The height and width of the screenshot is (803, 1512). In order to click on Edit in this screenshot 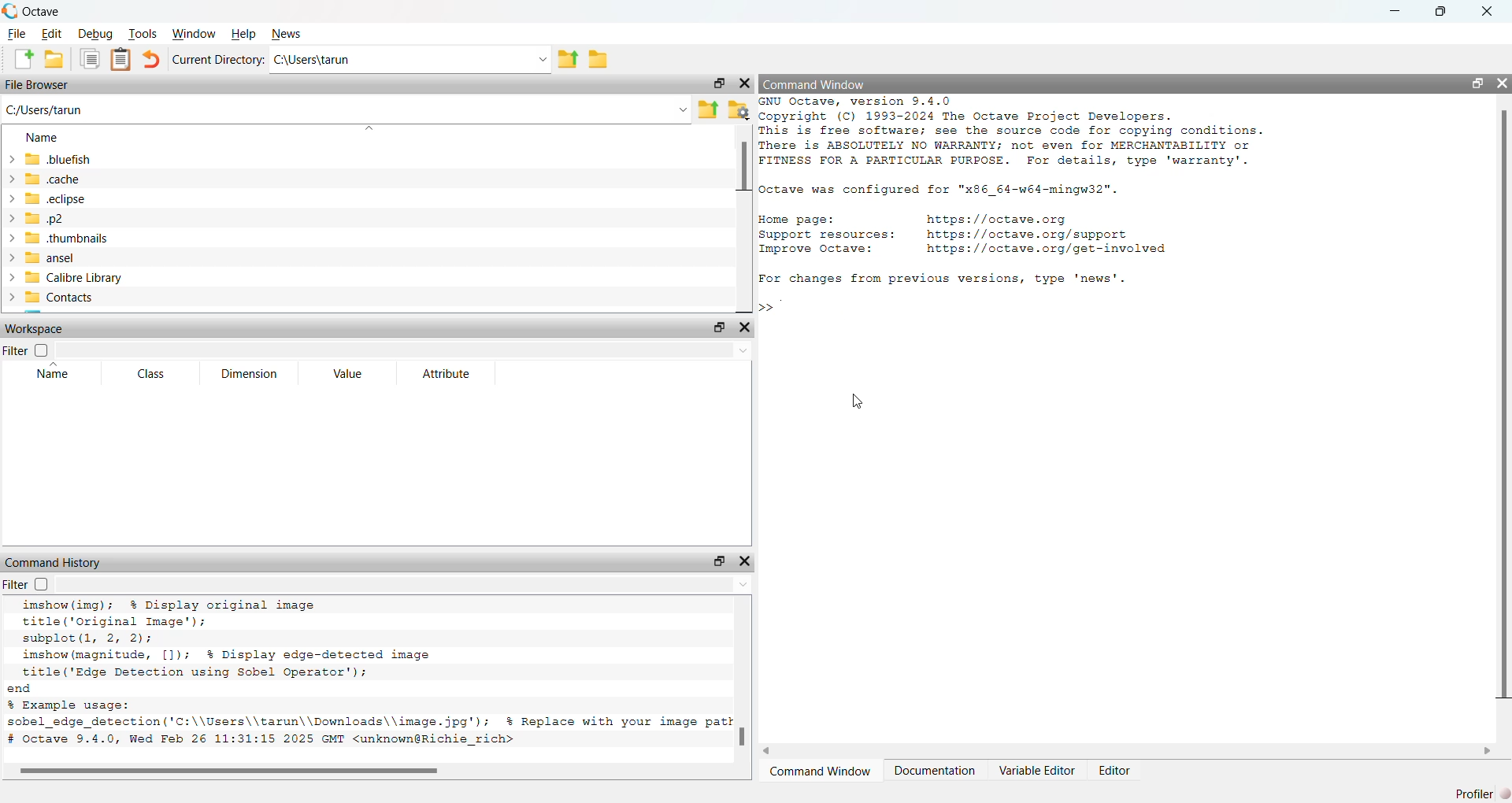, I will do `click(54, 33)`.